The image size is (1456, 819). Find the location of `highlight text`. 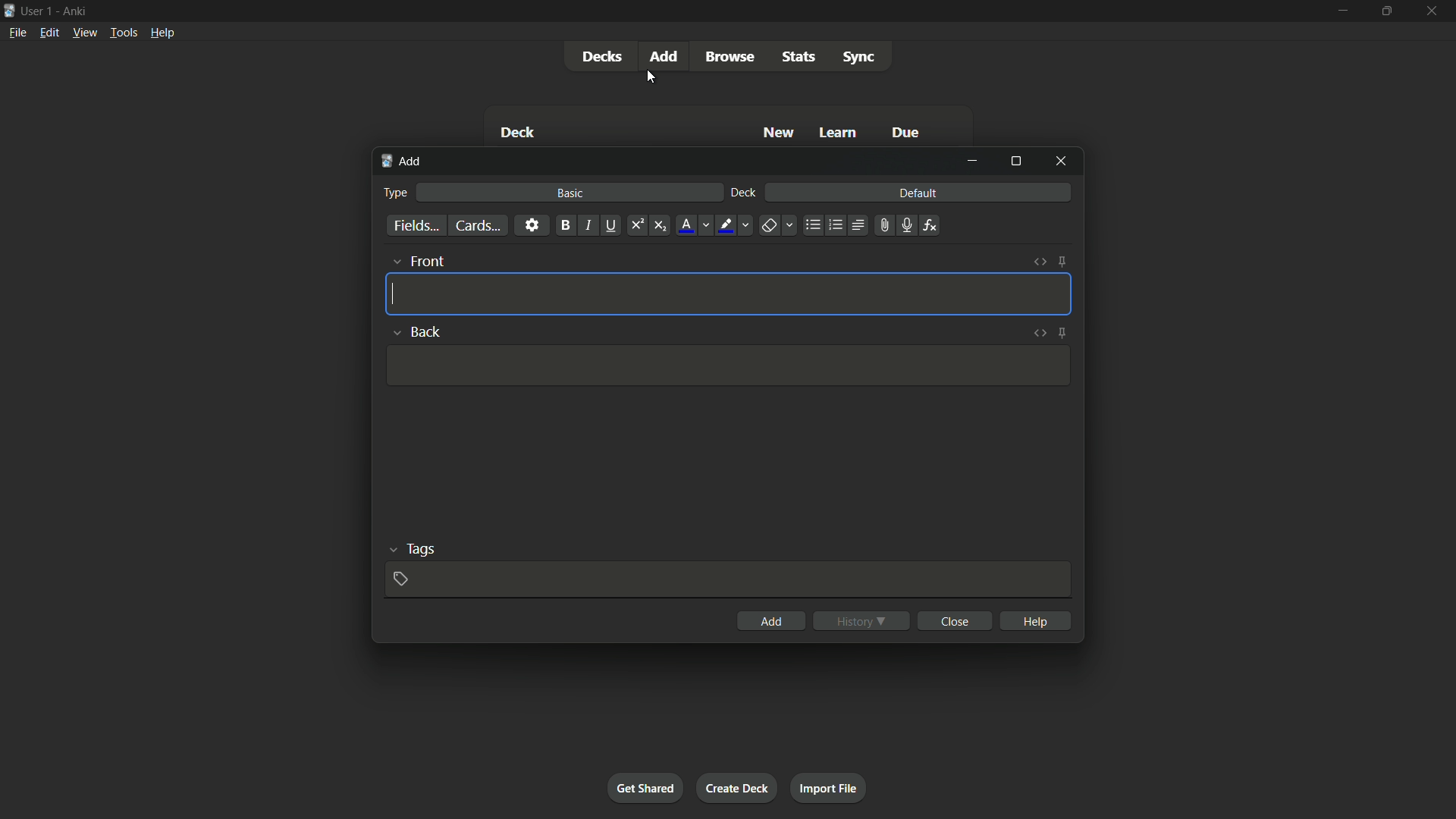

highlight text is located at coordinates (723, 226).